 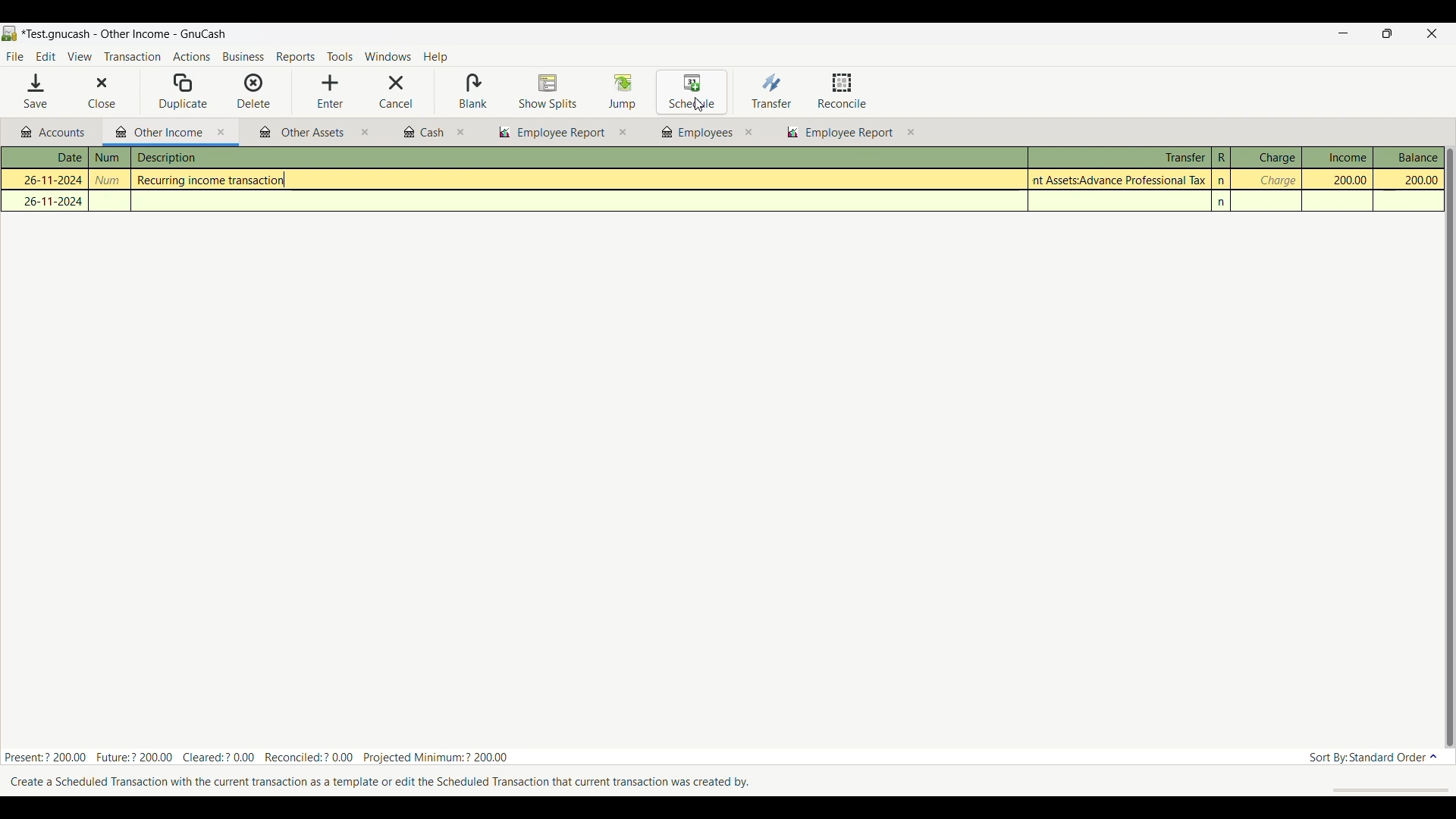 What do you see at coordinates (622, 91) in the screenshot?
I see `Jump` at bounding box center [622, 91].